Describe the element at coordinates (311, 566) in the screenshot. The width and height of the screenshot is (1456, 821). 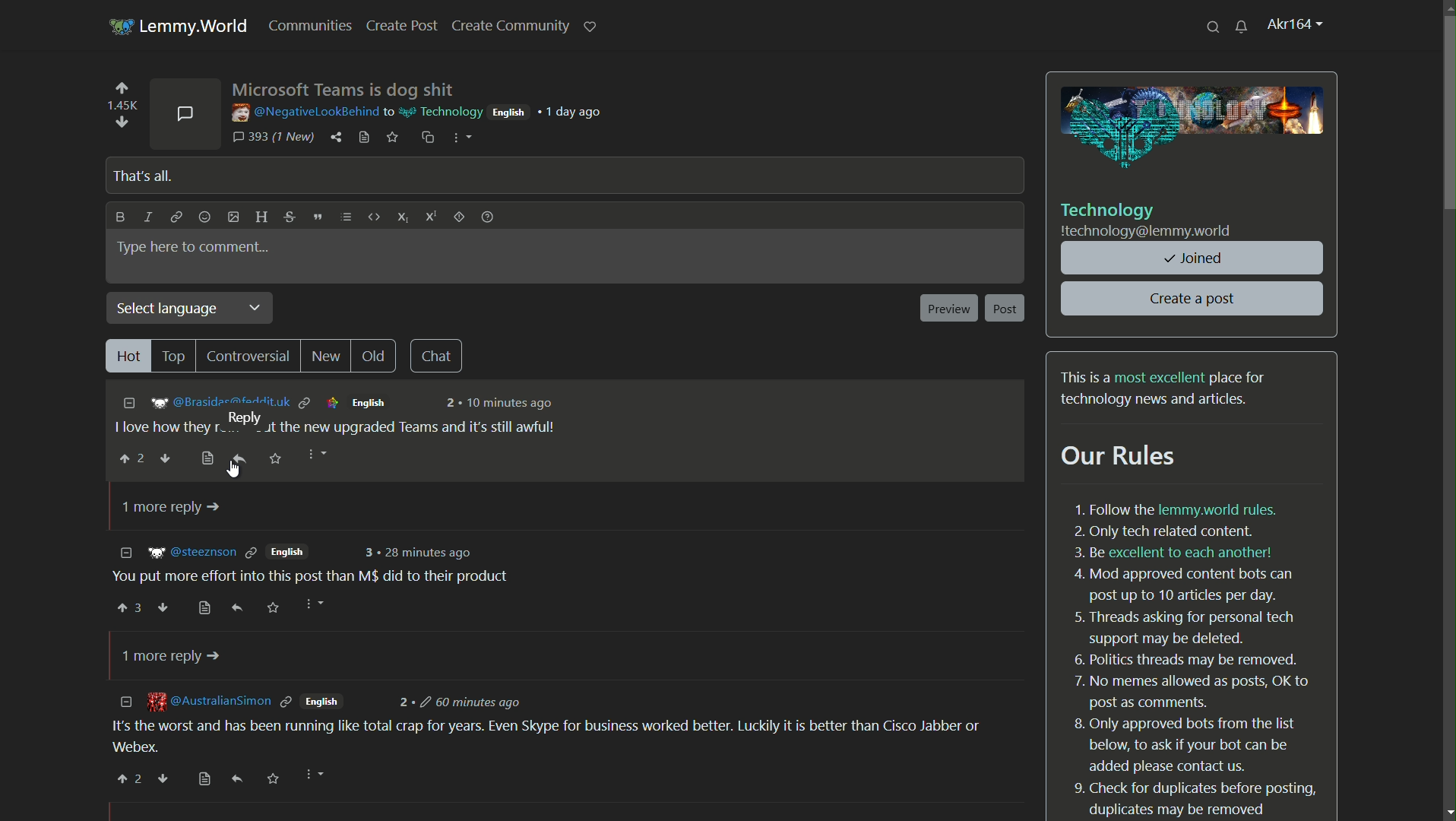
I see `comment-2` at that location.